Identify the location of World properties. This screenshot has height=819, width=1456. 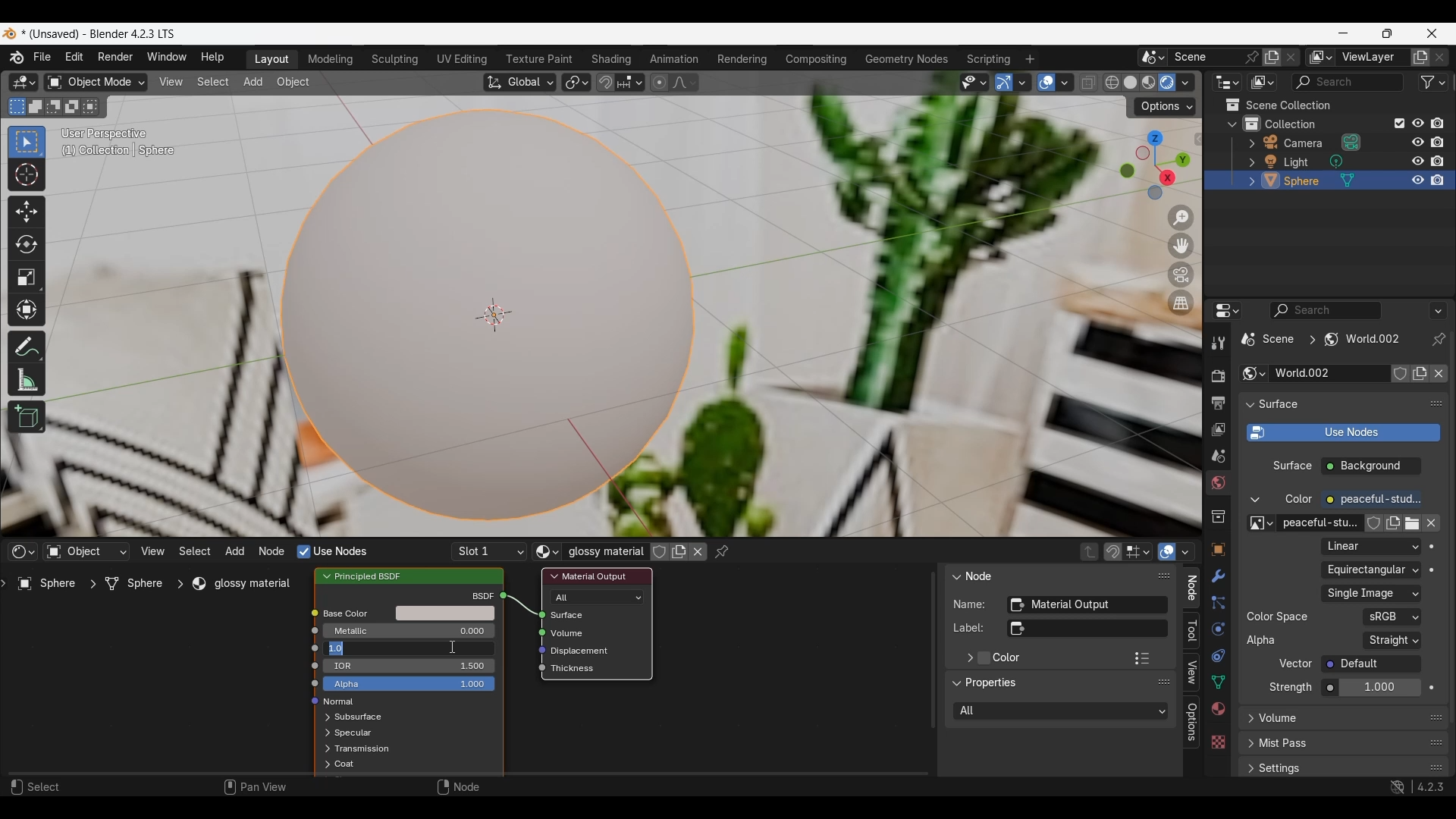
(1218, 483).